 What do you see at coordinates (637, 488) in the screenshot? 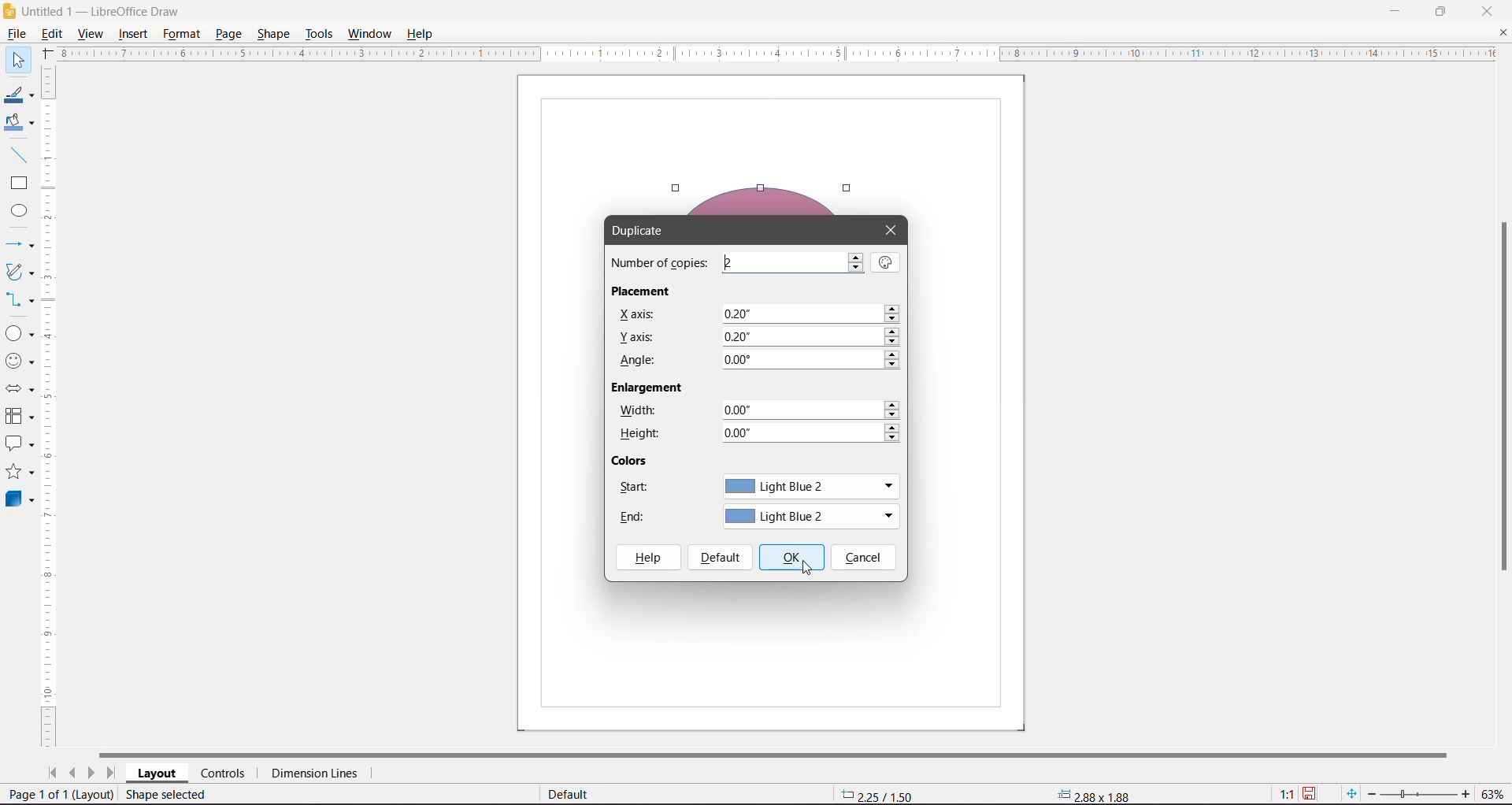
I see `Start` at bounding box center [637, 488].